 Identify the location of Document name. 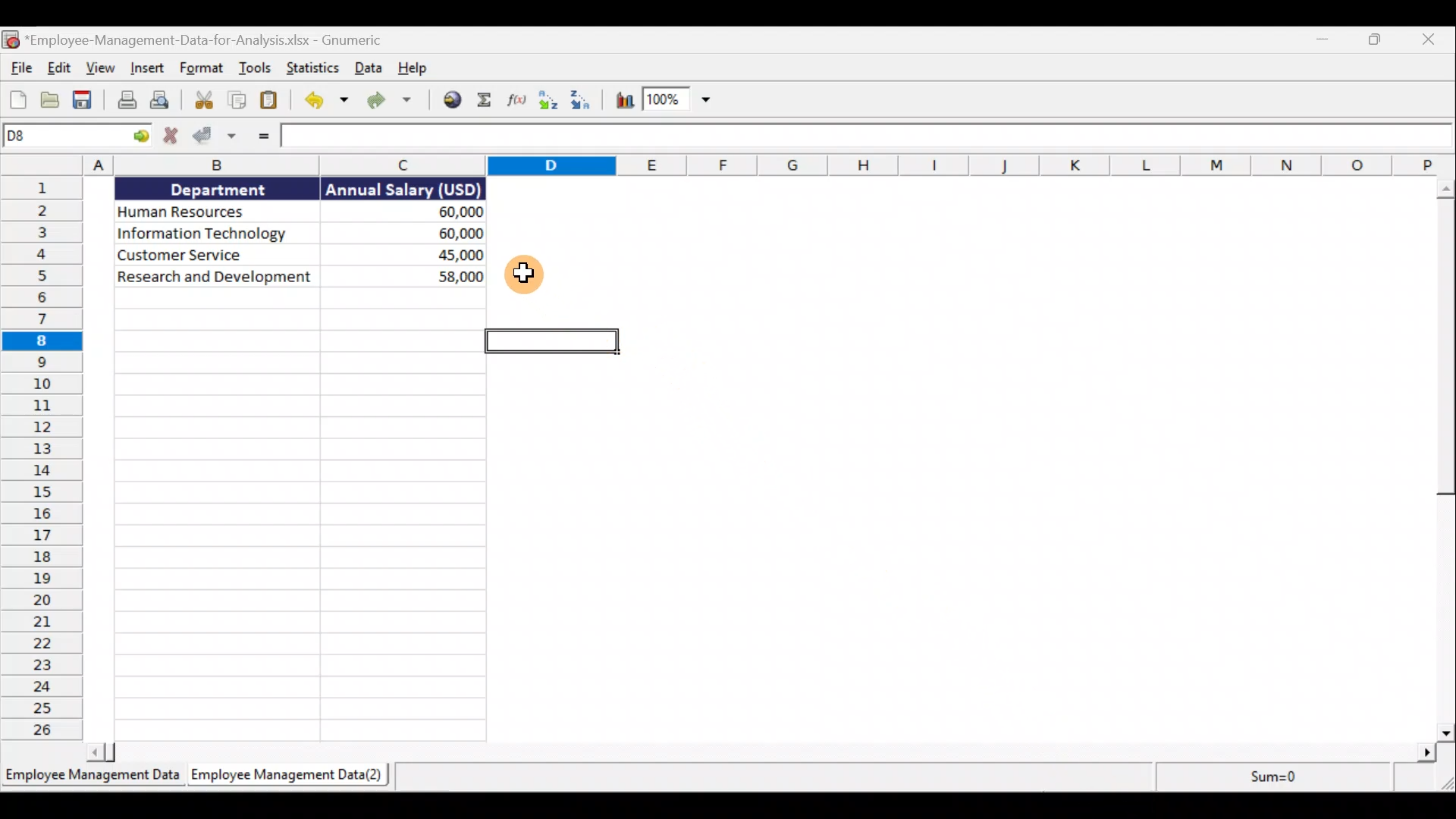
(196, 37).